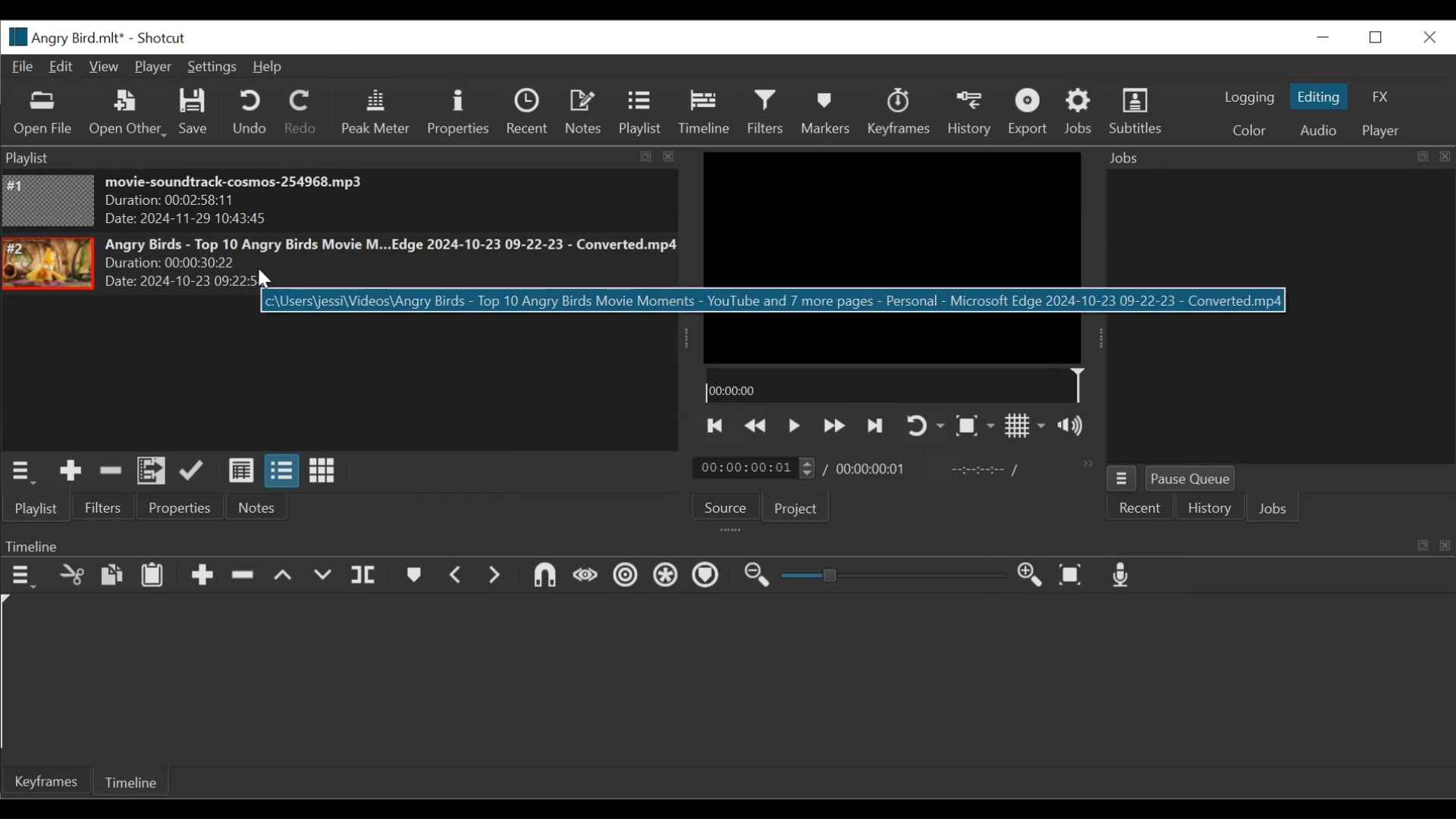 This screenshot has height=819, width=1456. What do you see at coordinates (583, 576) in the screenshot?
I see `Scrub while dragging` at bounding box center [583, 576].